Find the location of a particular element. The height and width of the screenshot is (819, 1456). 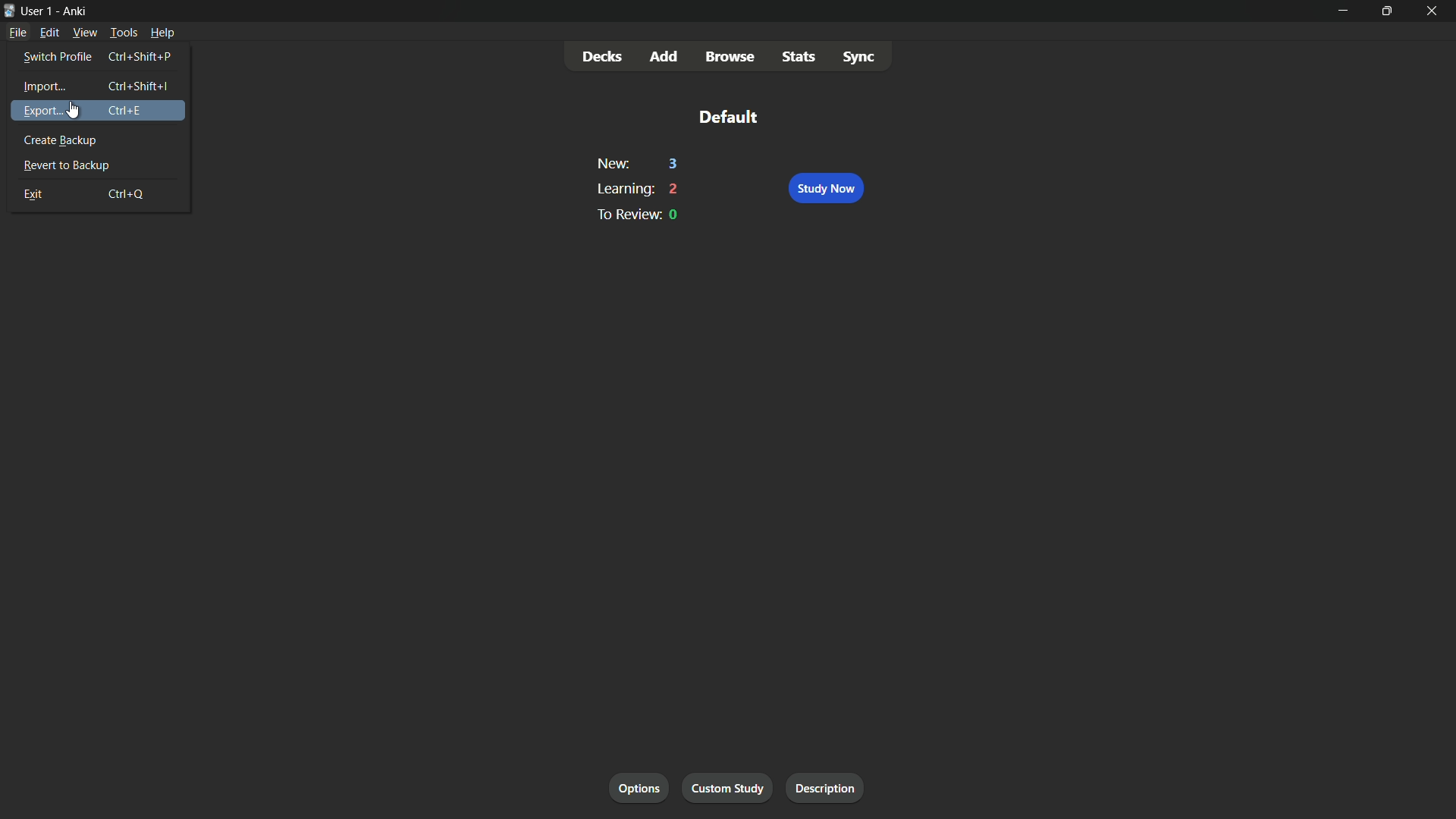

file menu is located at coordinates (20, 32).